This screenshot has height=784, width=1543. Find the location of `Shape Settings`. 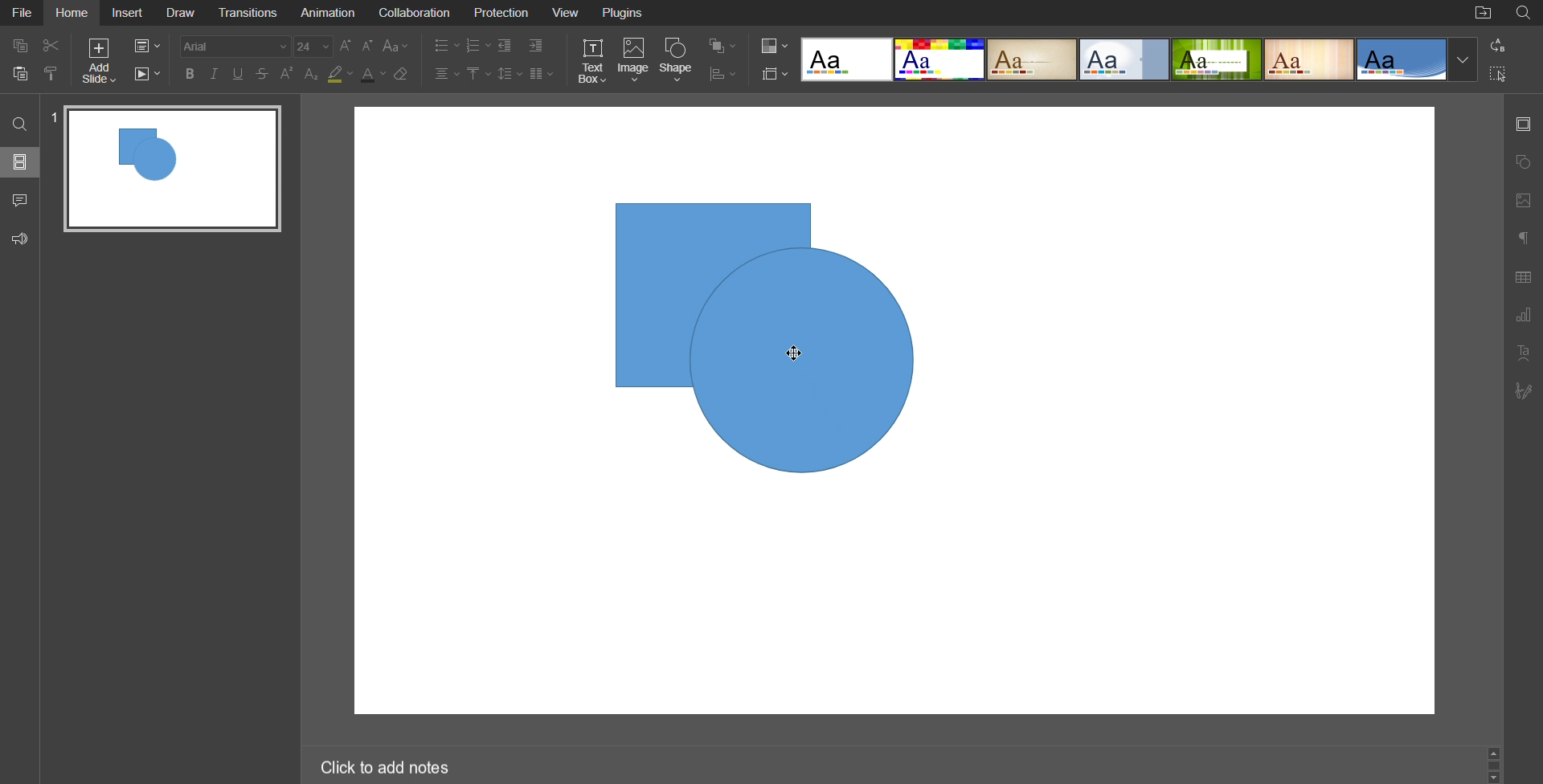

Shape Settings is located at coordinates (1524, 163).